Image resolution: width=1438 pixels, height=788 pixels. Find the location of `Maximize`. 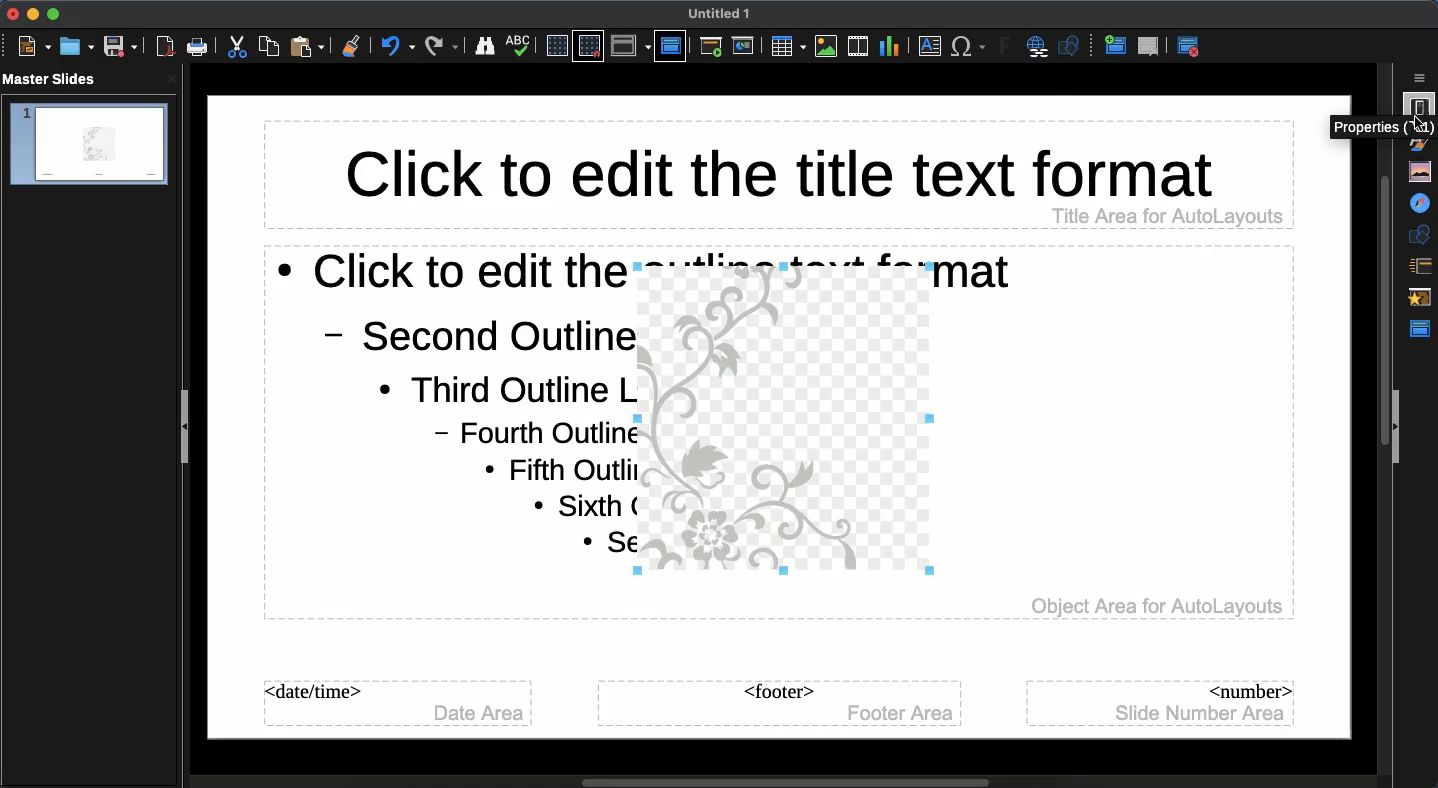

Maximize is located at coordinates (52, 14).